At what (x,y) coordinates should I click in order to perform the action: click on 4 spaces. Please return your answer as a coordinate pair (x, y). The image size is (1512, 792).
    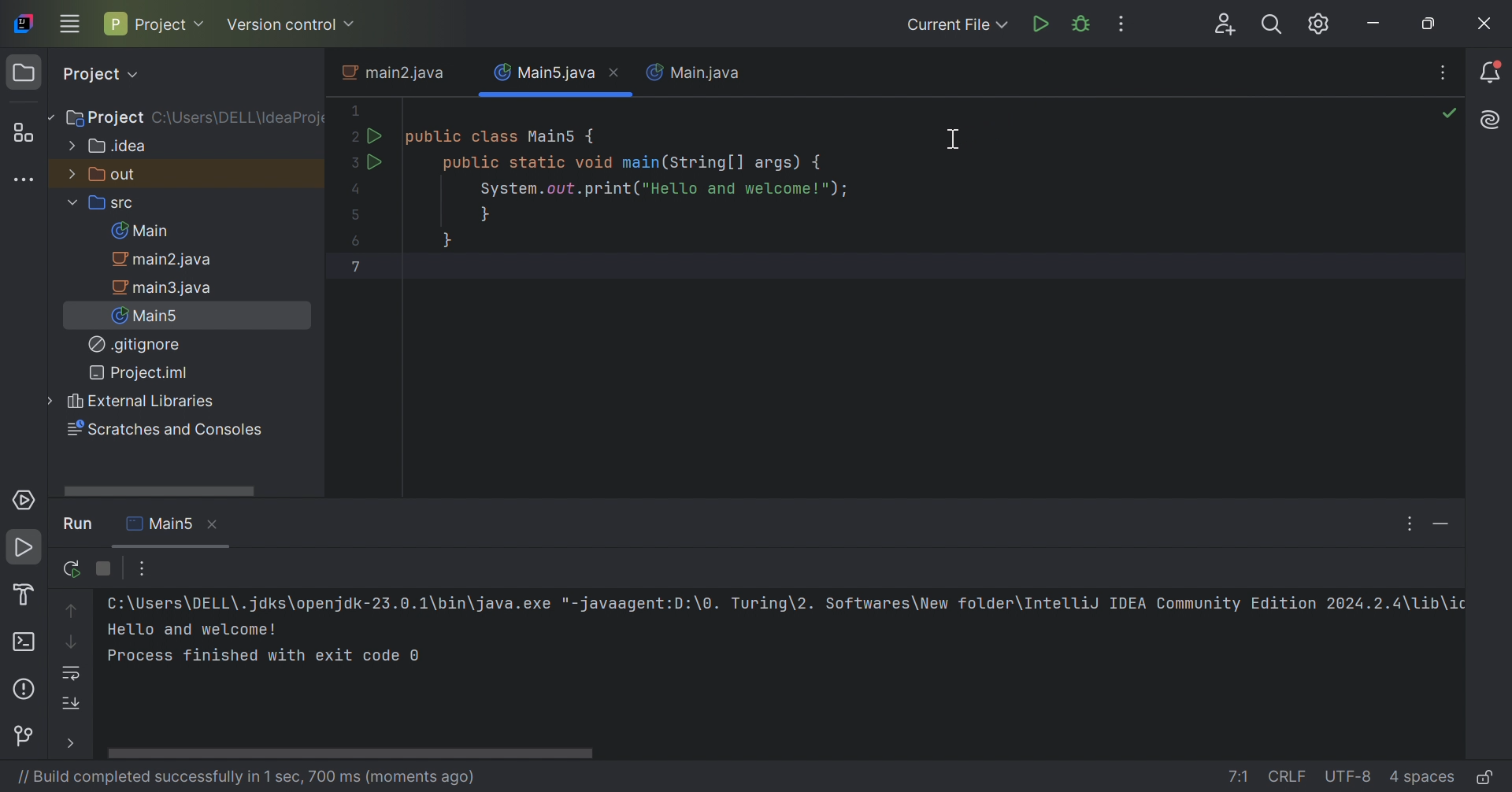
    Looking at the image, I should click on (1421, 776).